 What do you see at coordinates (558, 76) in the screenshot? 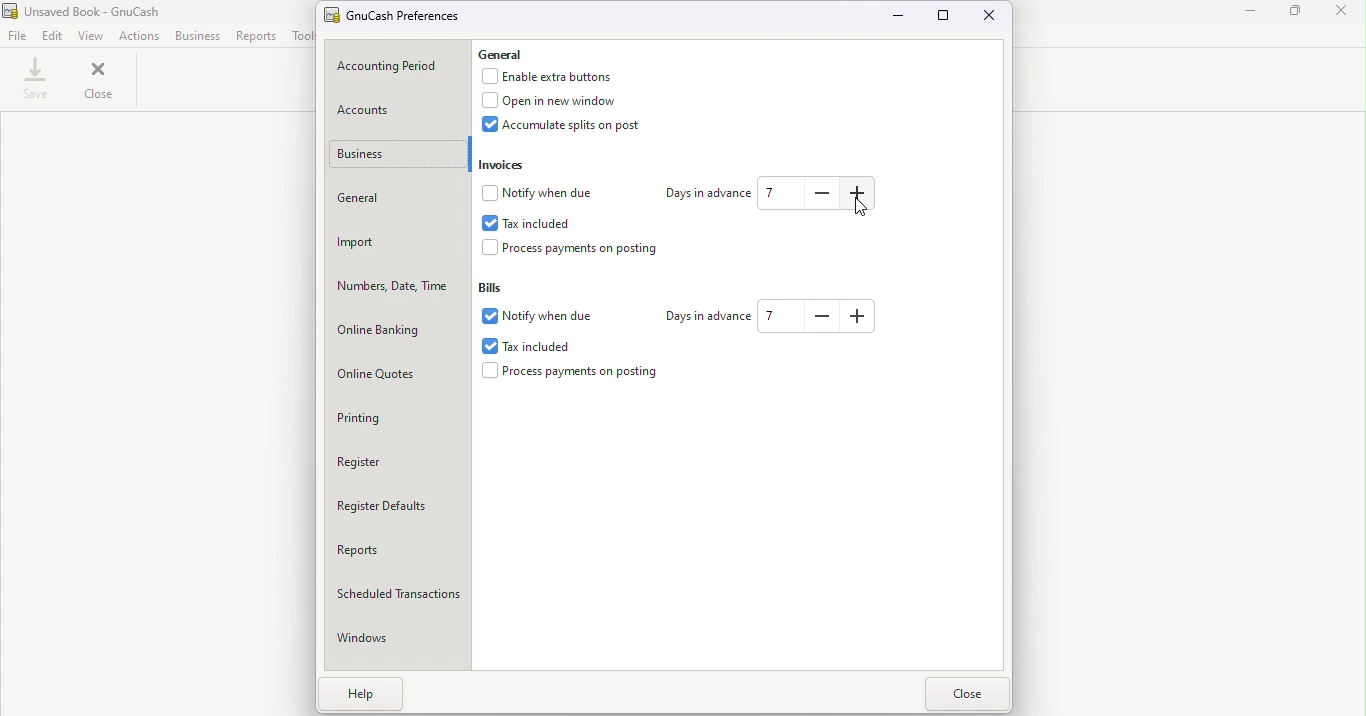
I see `Enable extra button` at bounding box center [558, 76].